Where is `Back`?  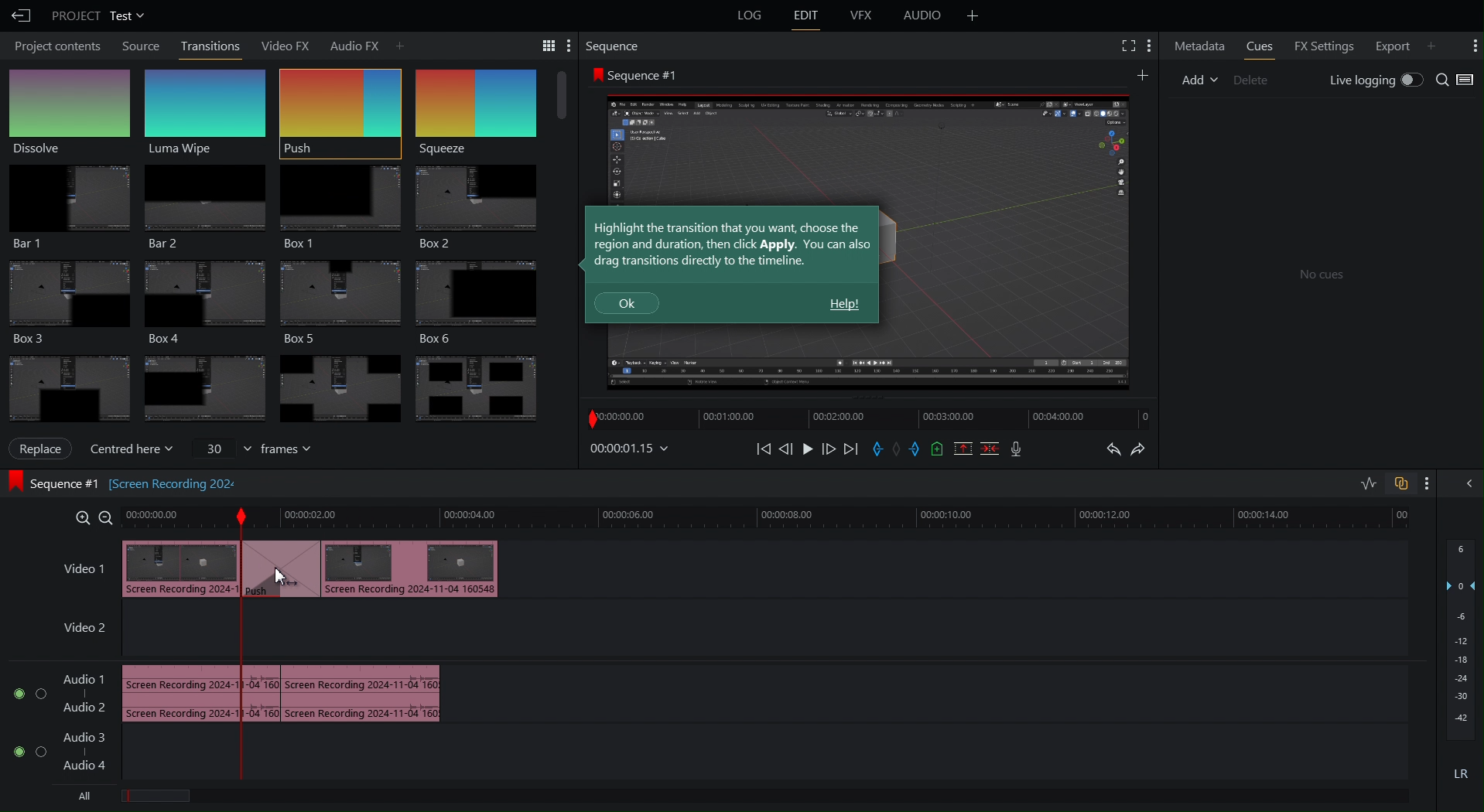
Back is located at coordinates (19, 15).